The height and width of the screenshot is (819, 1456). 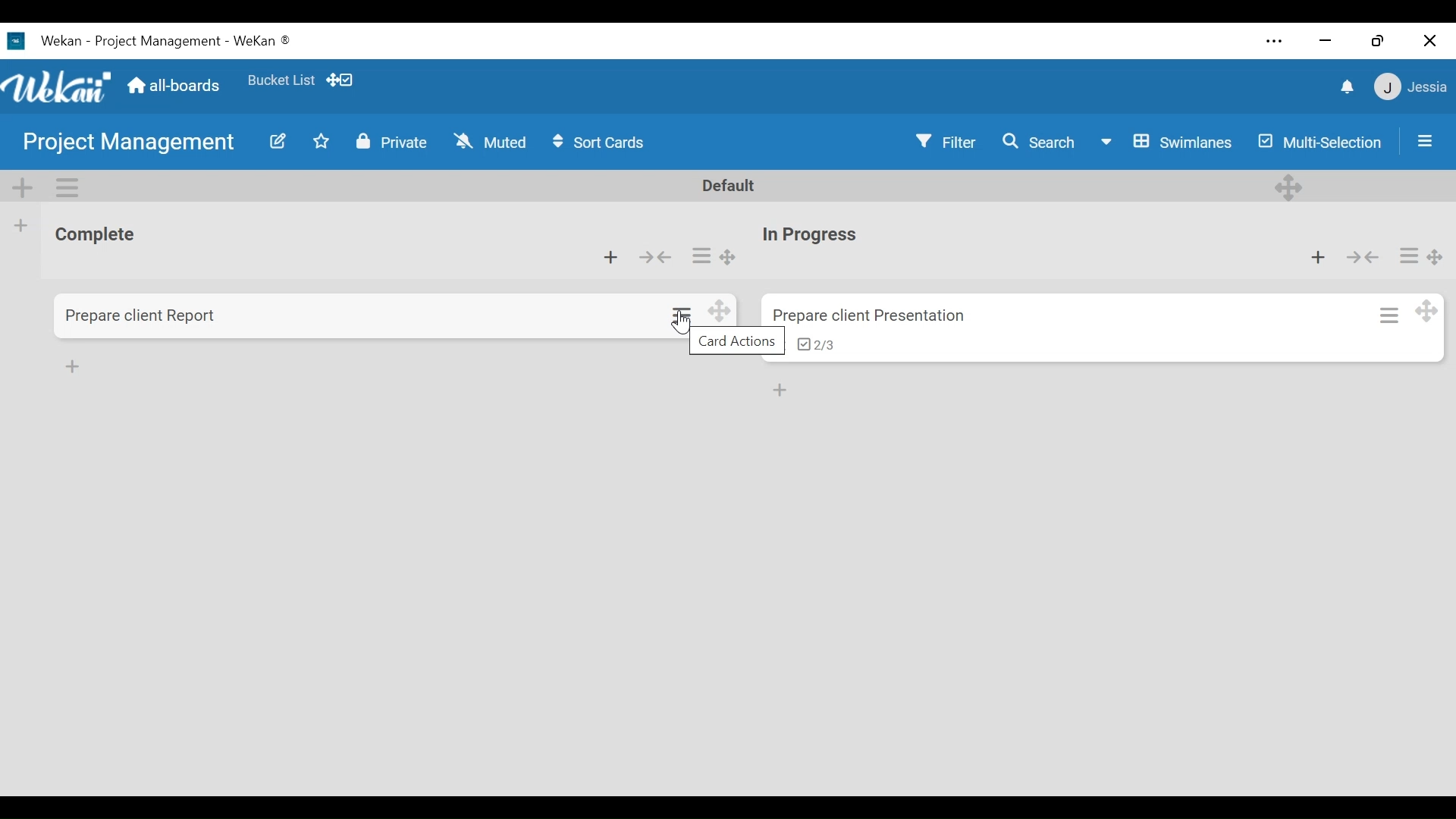 I want to click on Add card to top of the list, so click(x=1318, y=257).